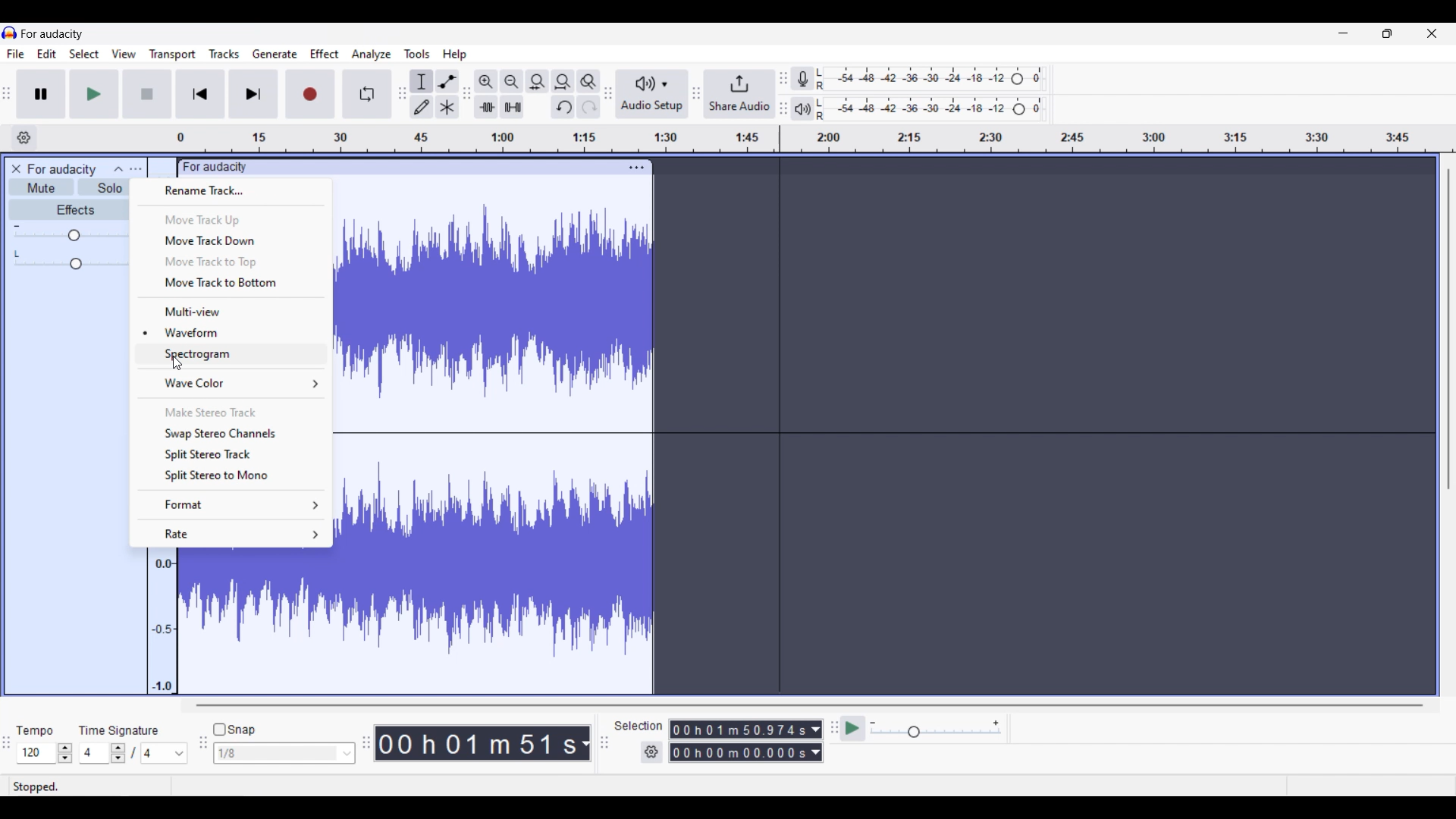 Image resolution: width=1456 pixels, height=819 pixels. Describe the element at coordinates (44, 753) in the screenshot. I see `Tempo settings` at that location.